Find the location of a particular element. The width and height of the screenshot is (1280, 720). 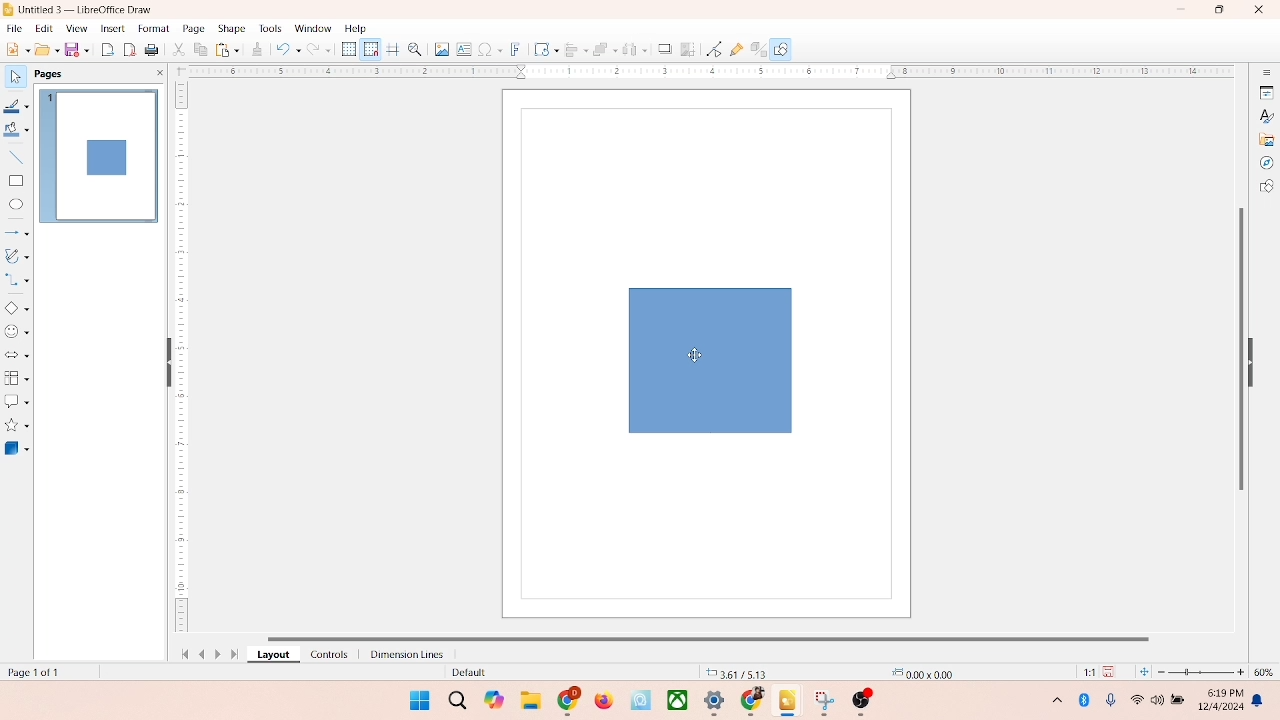

vertical scroll bar is located at coordinates (1239, 347).